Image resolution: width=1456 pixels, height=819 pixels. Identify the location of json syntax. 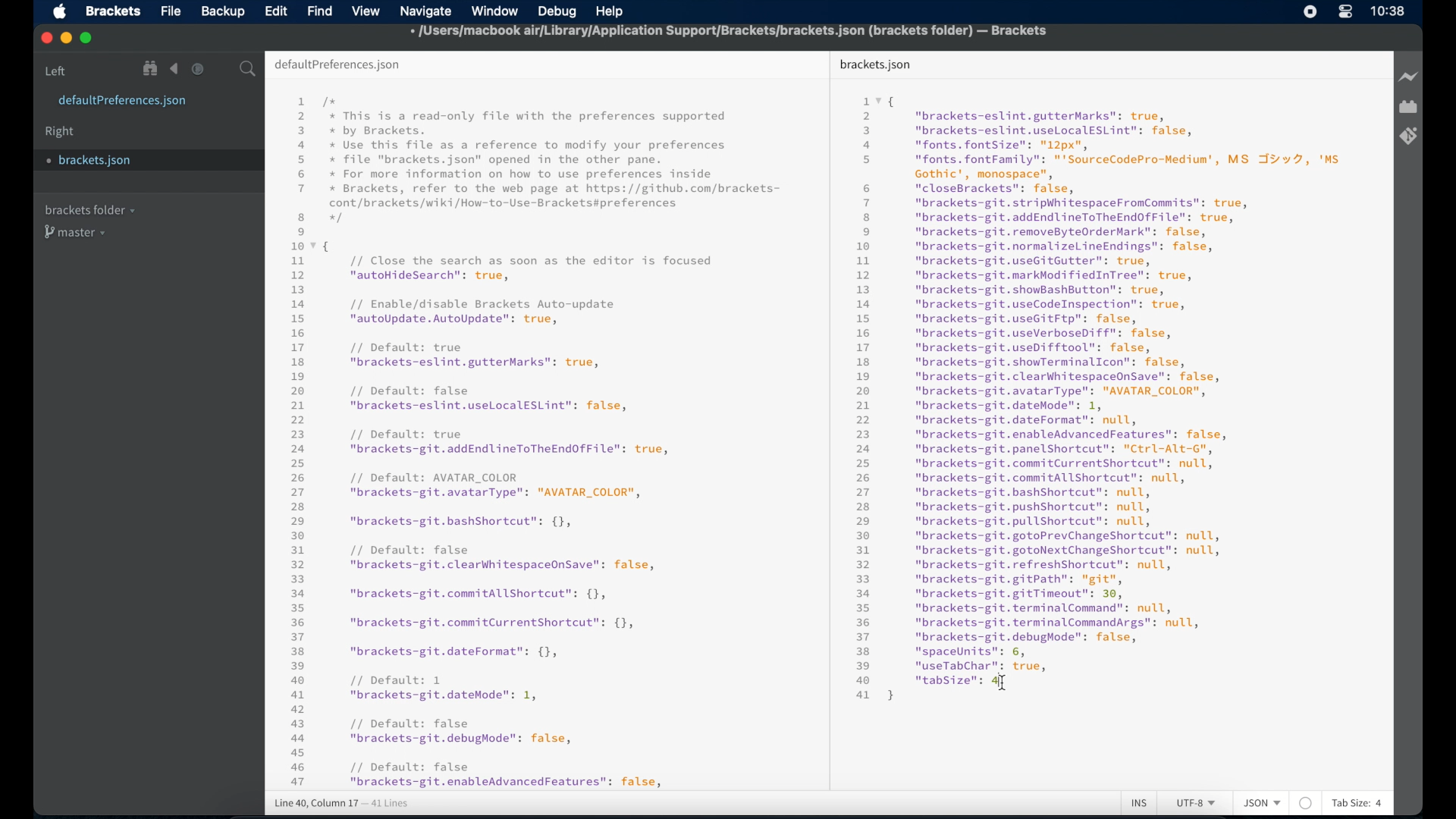
(535, 441).